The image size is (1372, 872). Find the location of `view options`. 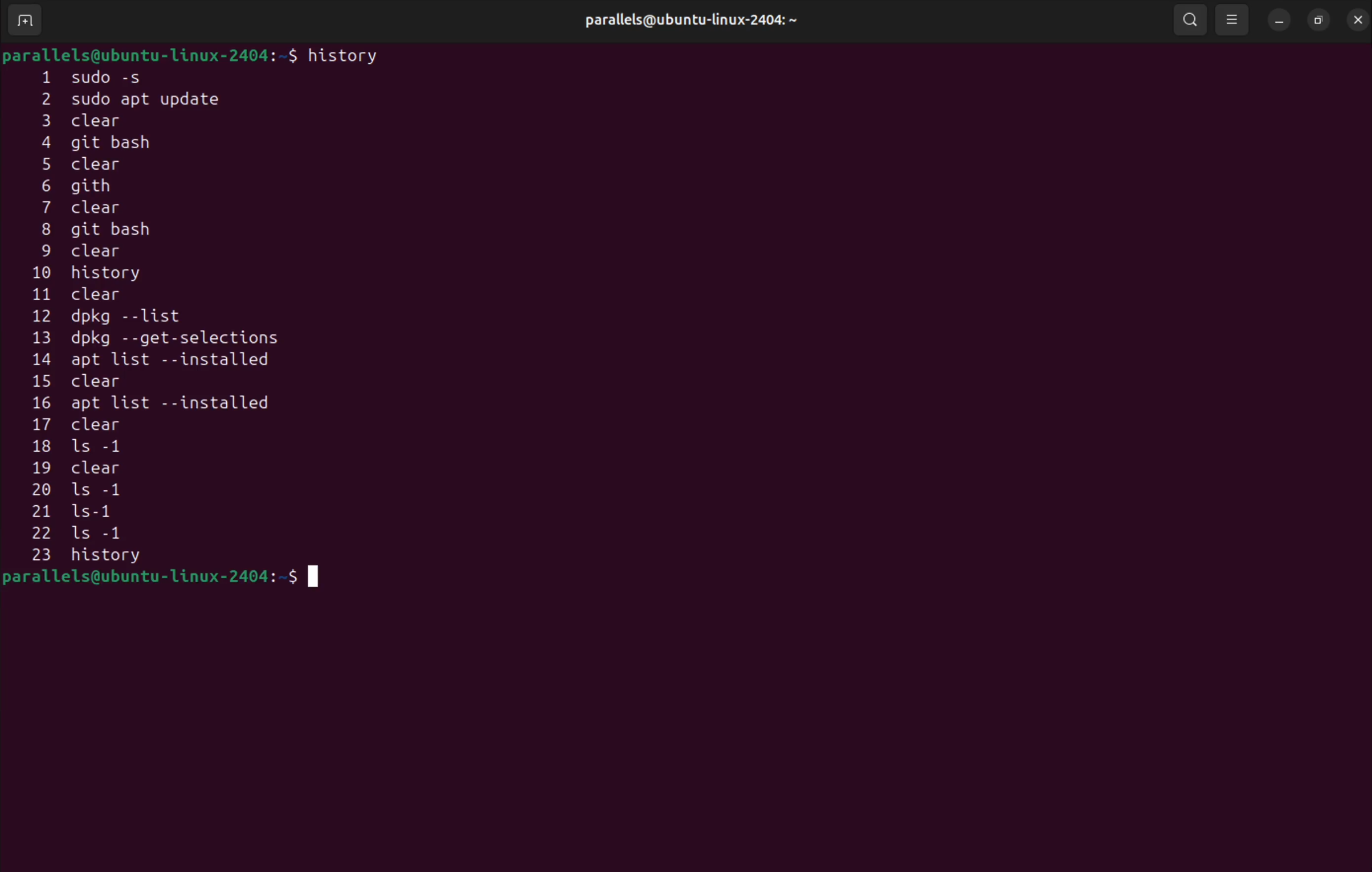

view options is located at coordinates (1234, 19).